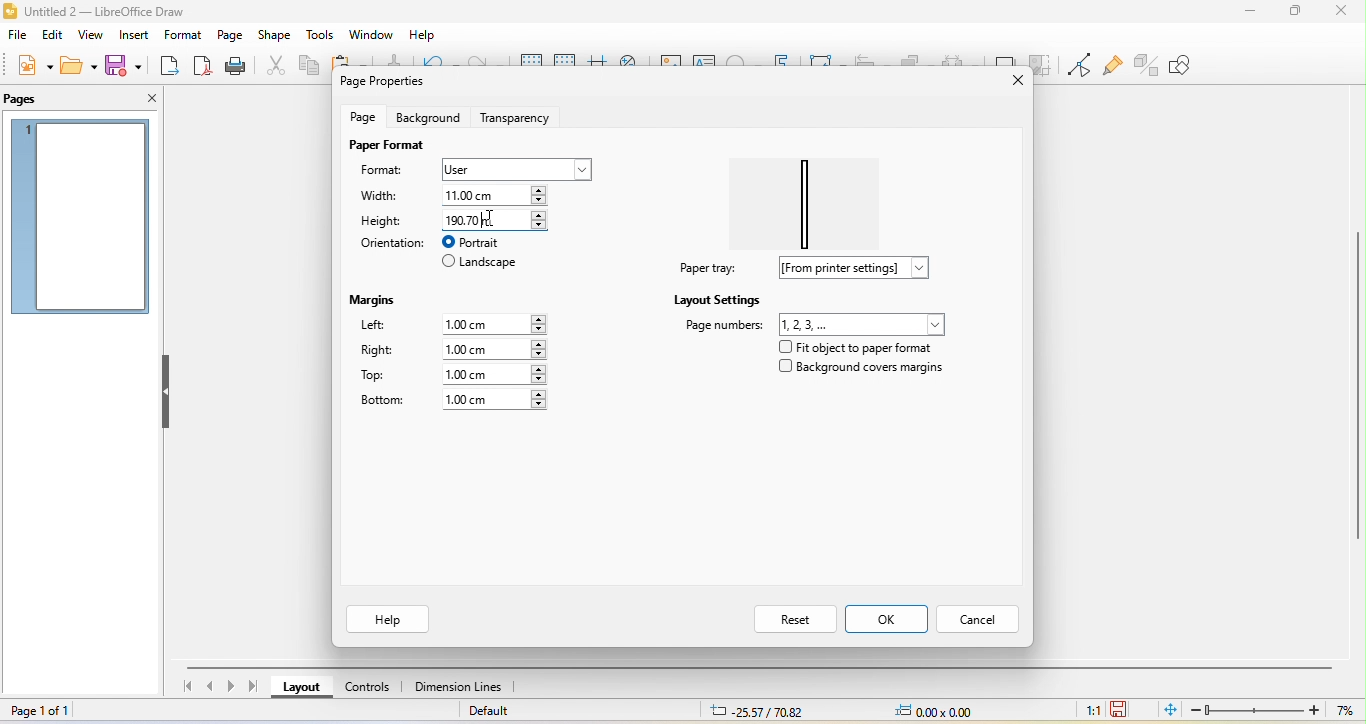 The height and width of the screenshot is (724, 1366). What do you see at coordinates (386, 197) in the screenshot?
I see `width` at bounding box center [386, 197].